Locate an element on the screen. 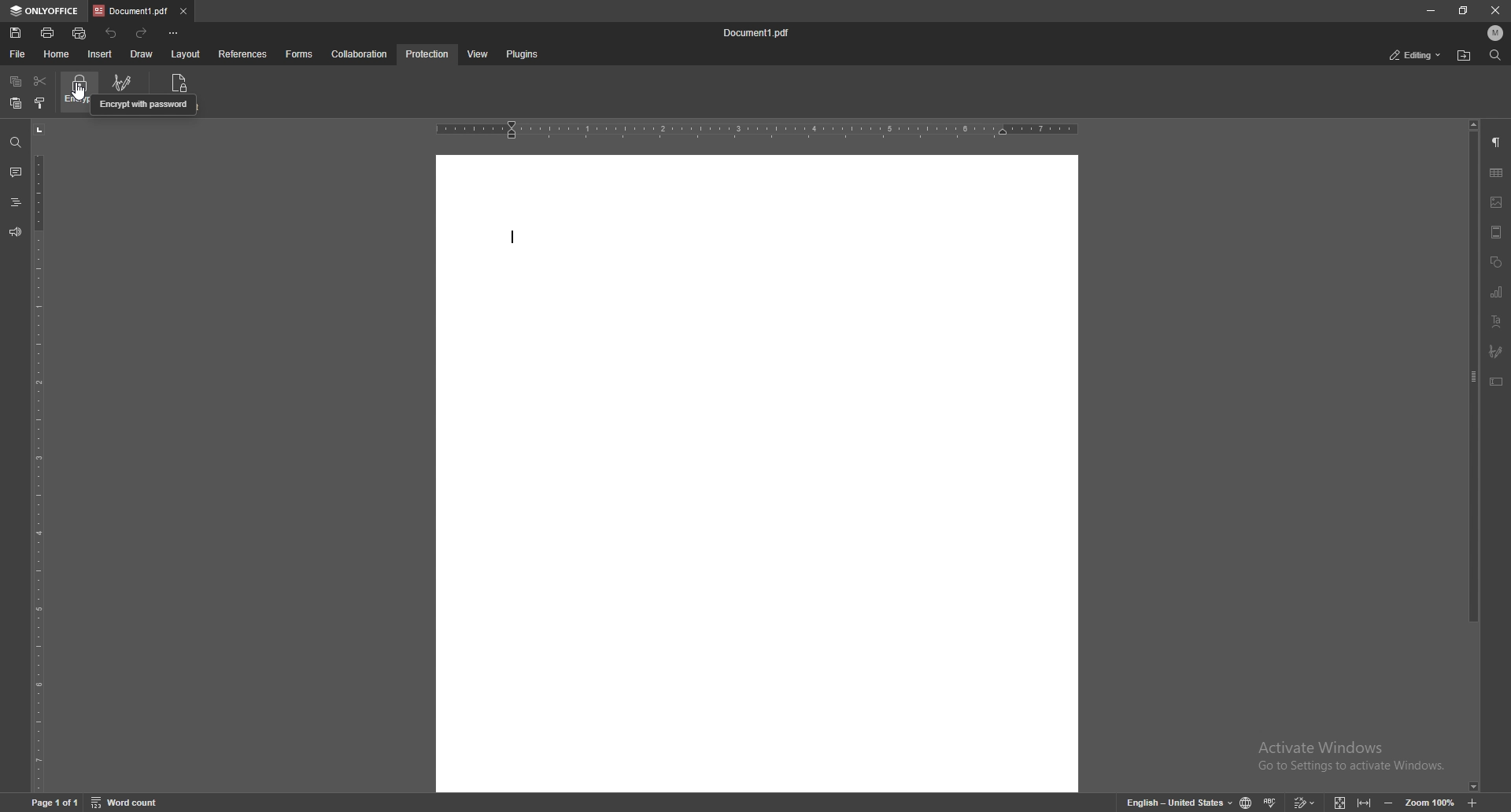  paragraph is located at coordinates (1495, 143).